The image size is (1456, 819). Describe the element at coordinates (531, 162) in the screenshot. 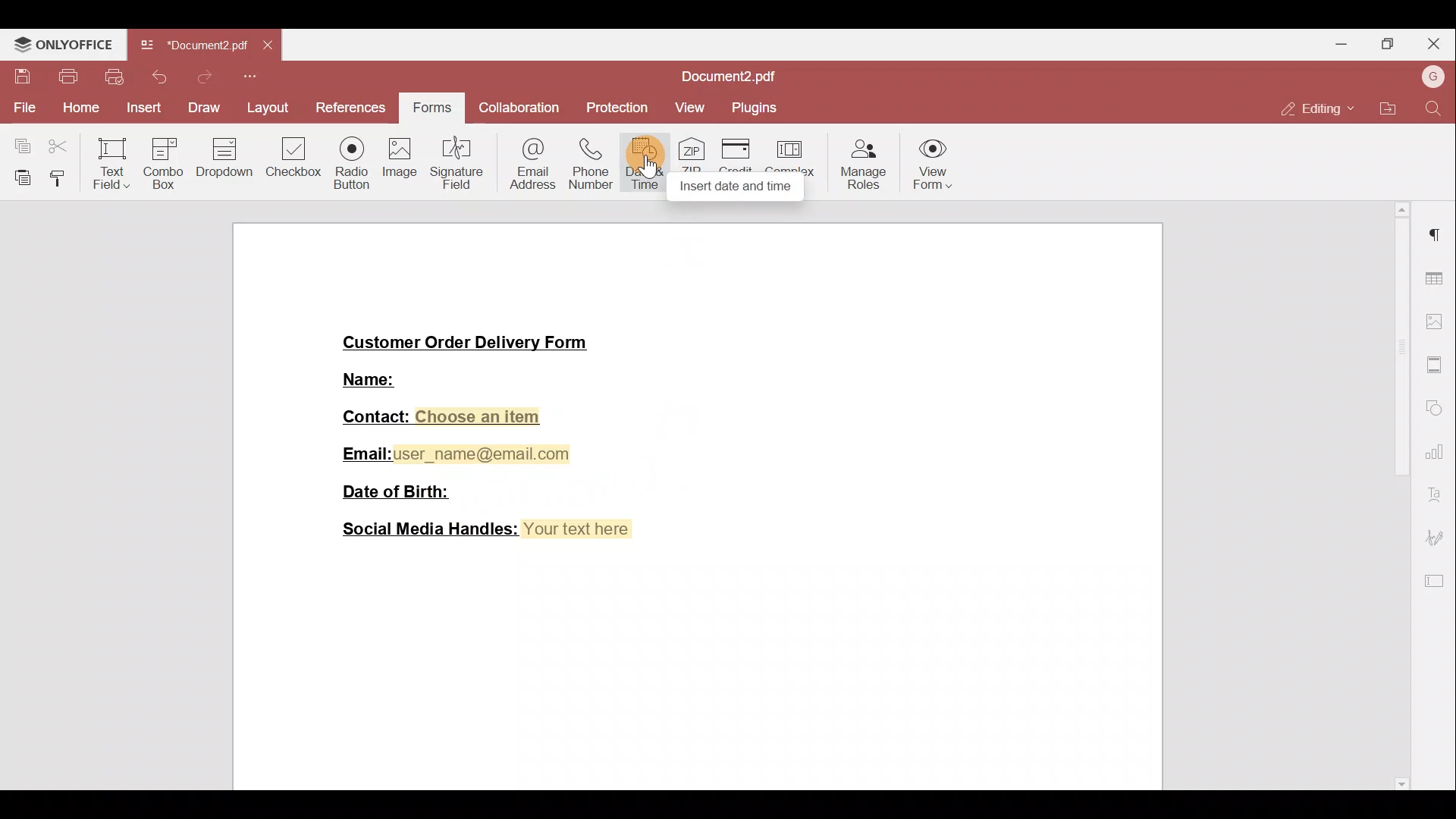

I see `Email address` at that location.